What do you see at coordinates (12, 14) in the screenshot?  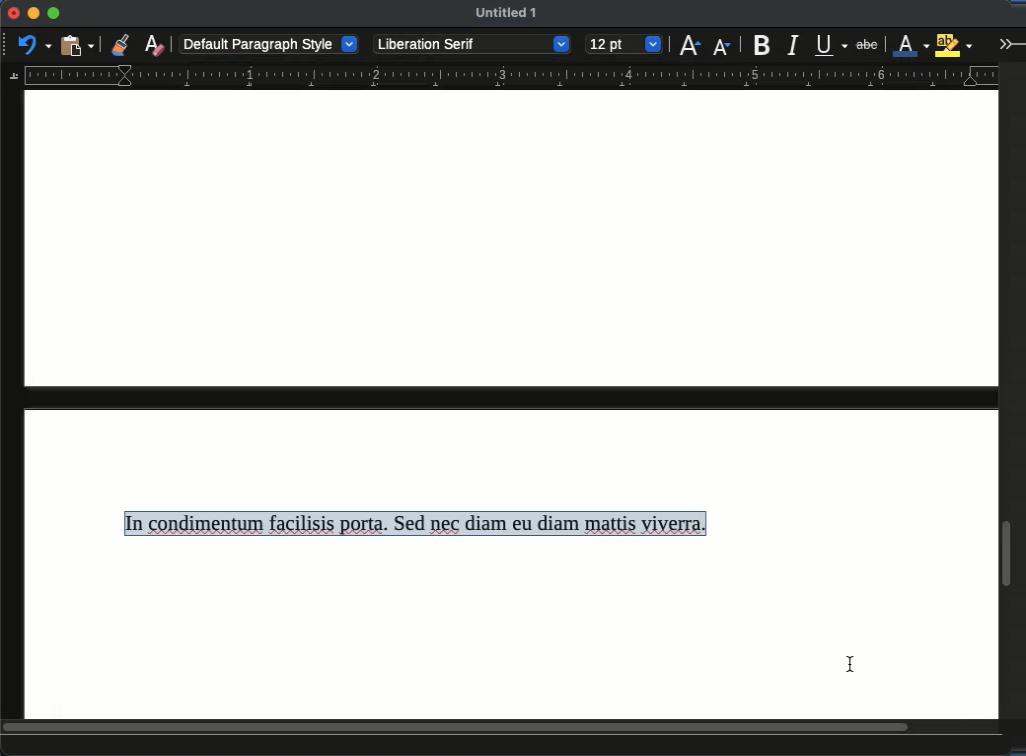 I see `close` at bounding box center [12, 14].